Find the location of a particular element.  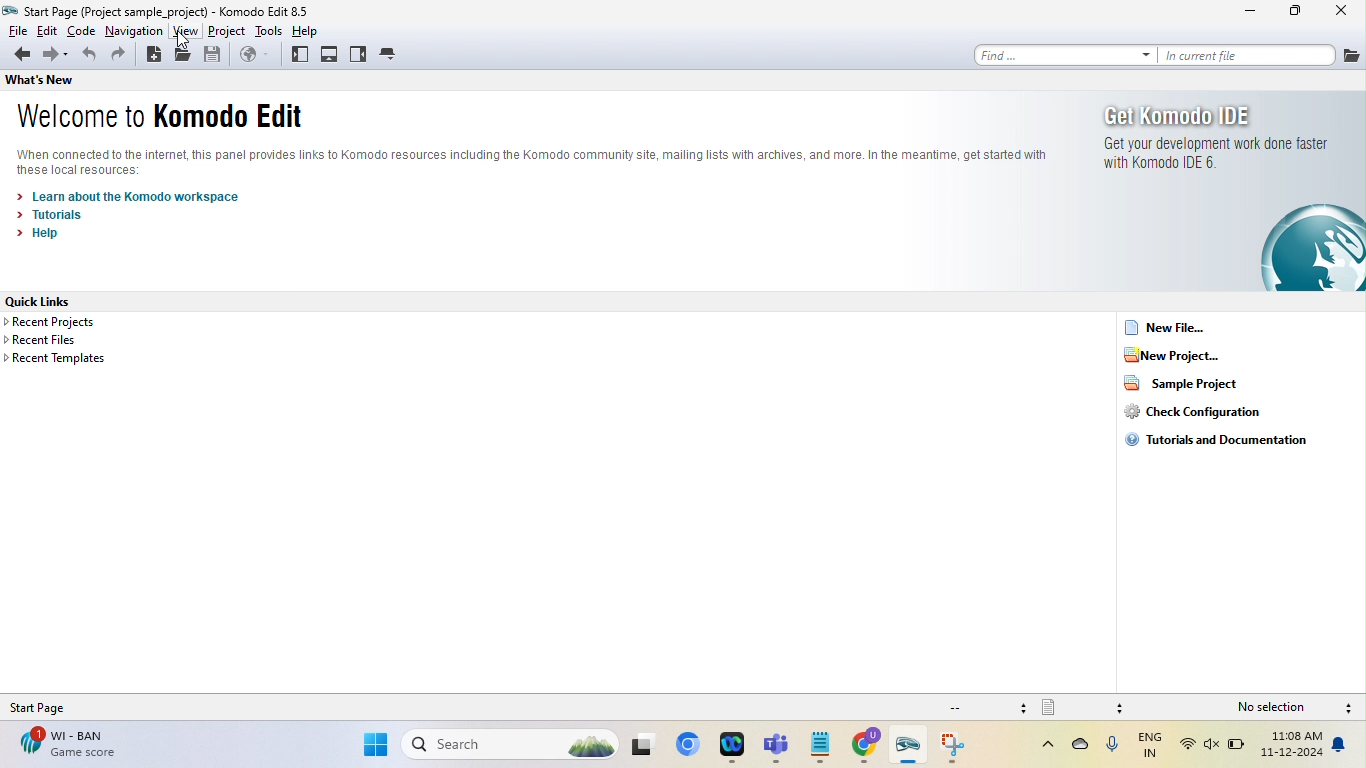

cursor is located at coordinates (187, 40).